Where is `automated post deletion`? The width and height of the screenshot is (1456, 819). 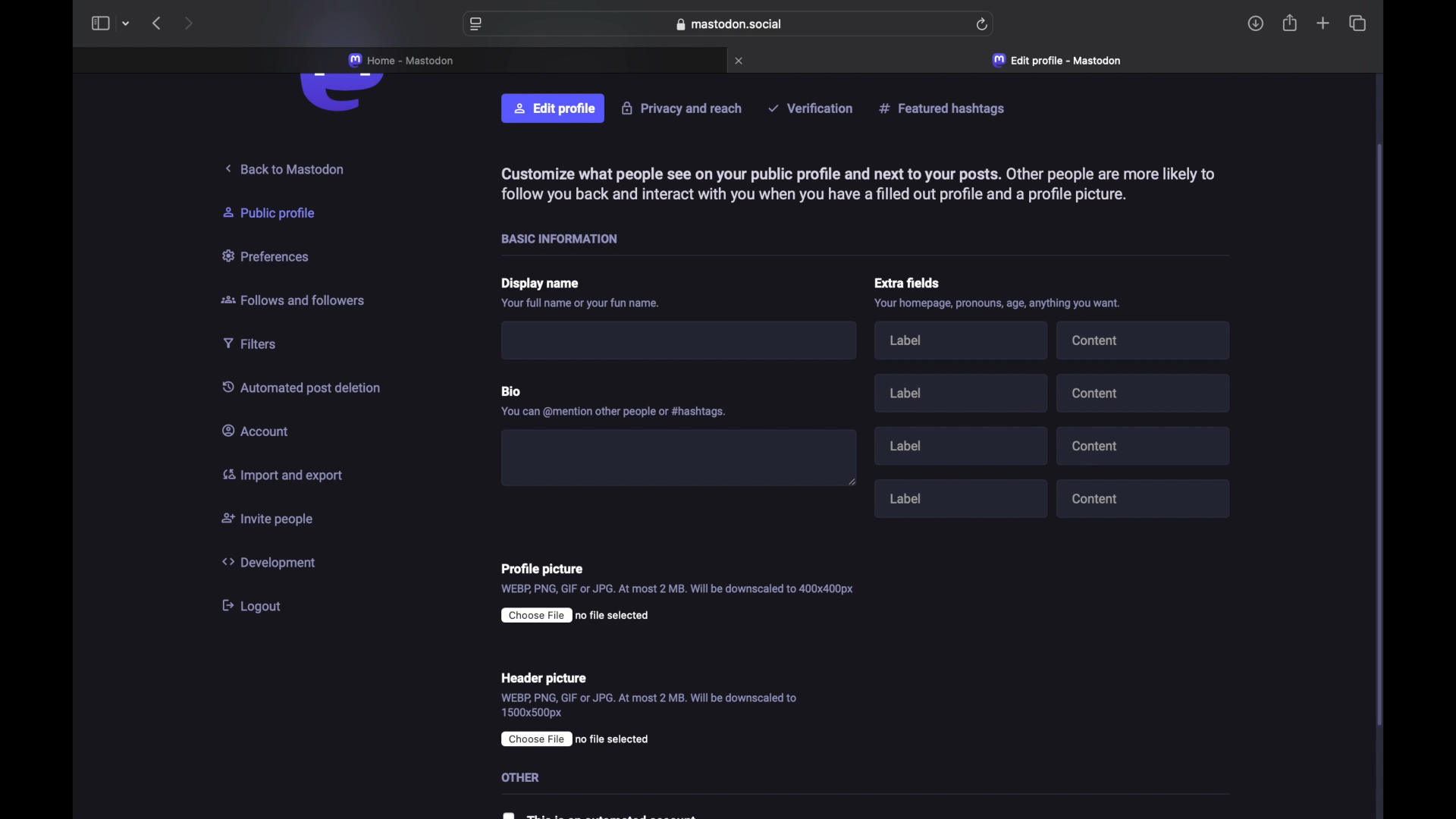
automated post deletion is located at coordinates (304, 386).